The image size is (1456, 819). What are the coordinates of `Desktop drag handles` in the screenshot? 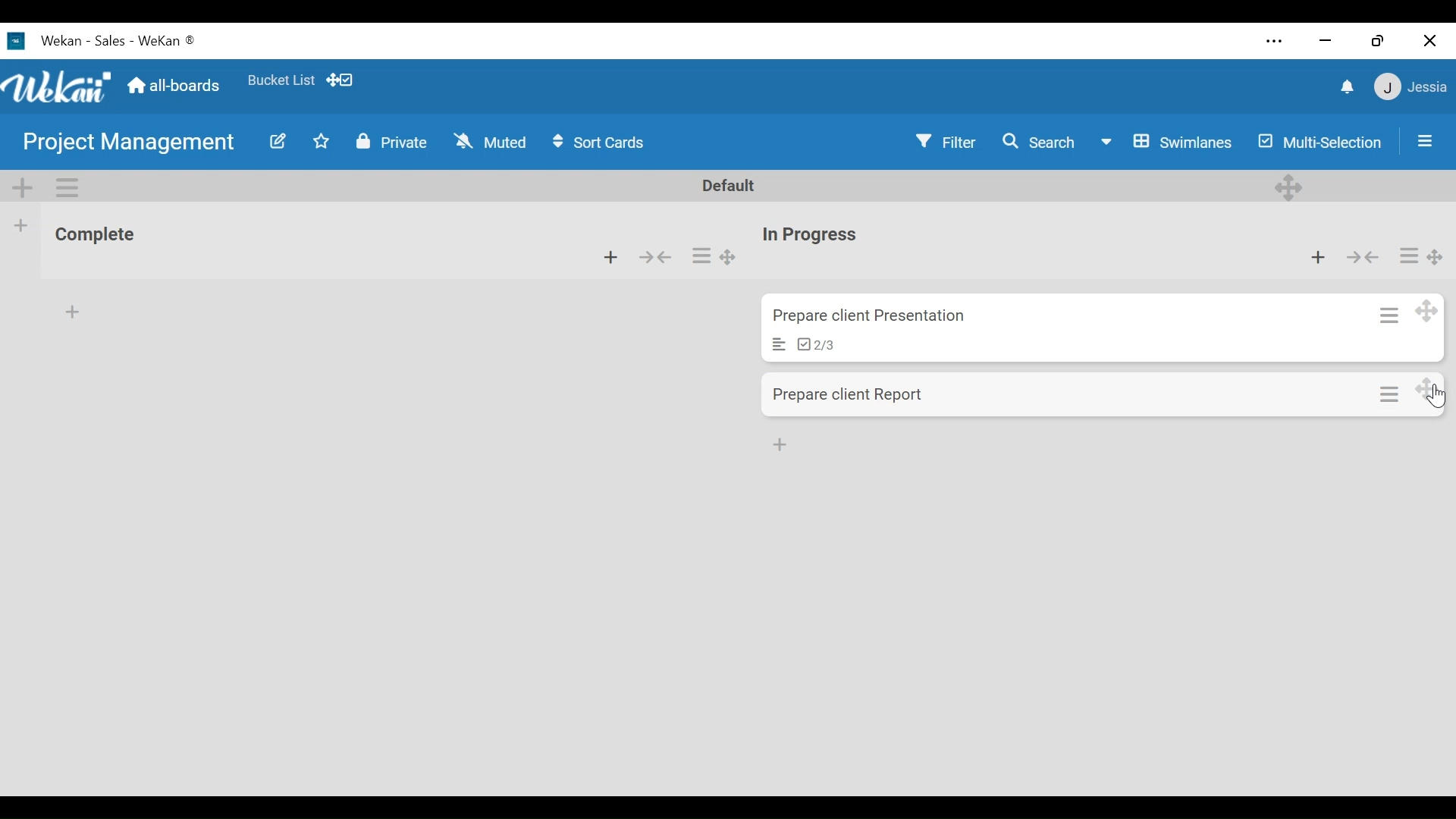 It's located at (729, 258).